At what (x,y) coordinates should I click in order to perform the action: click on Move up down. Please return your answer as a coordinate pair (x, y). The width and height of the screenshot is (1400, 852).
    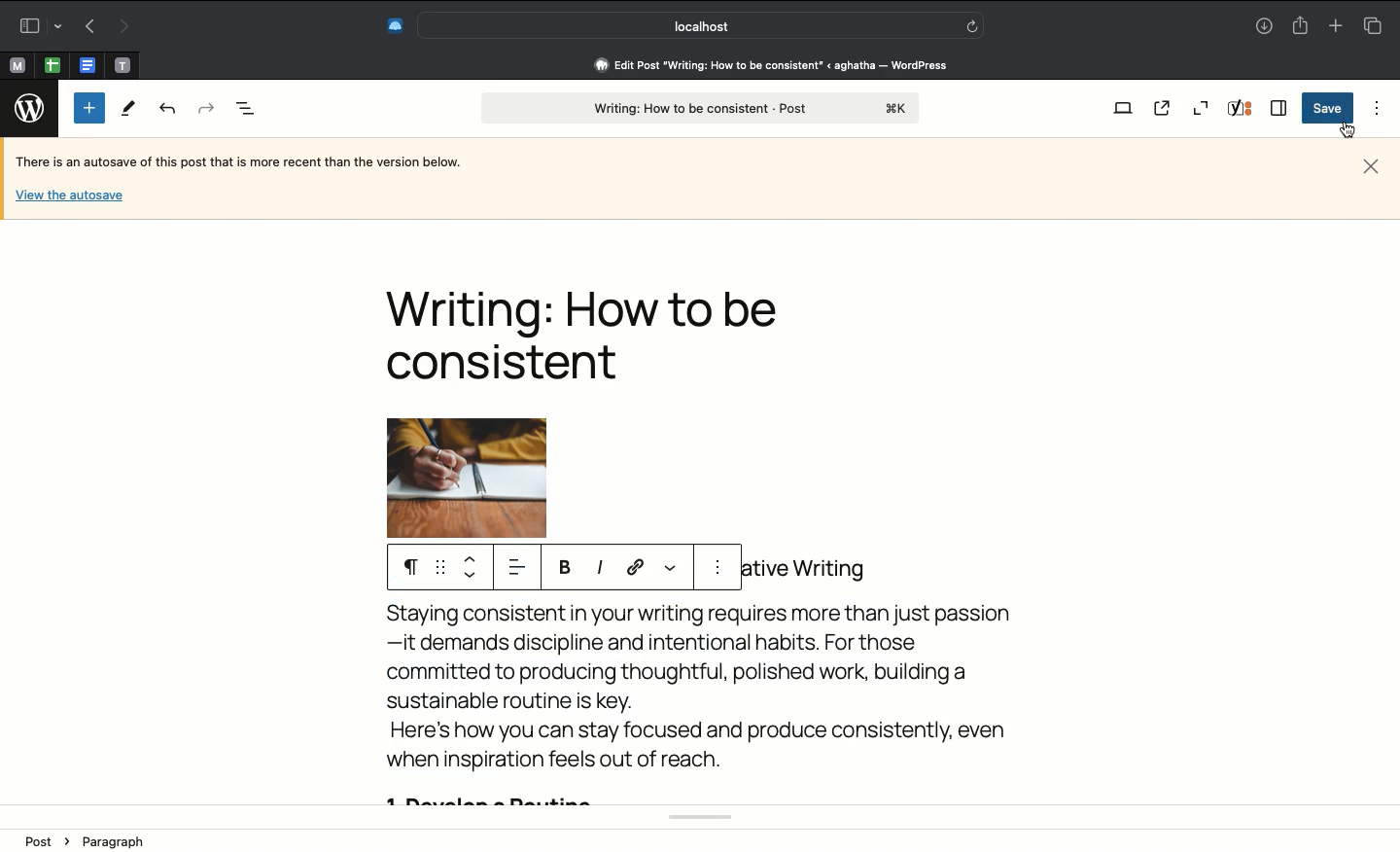
    Looking at the image, I should click on (472, 569).